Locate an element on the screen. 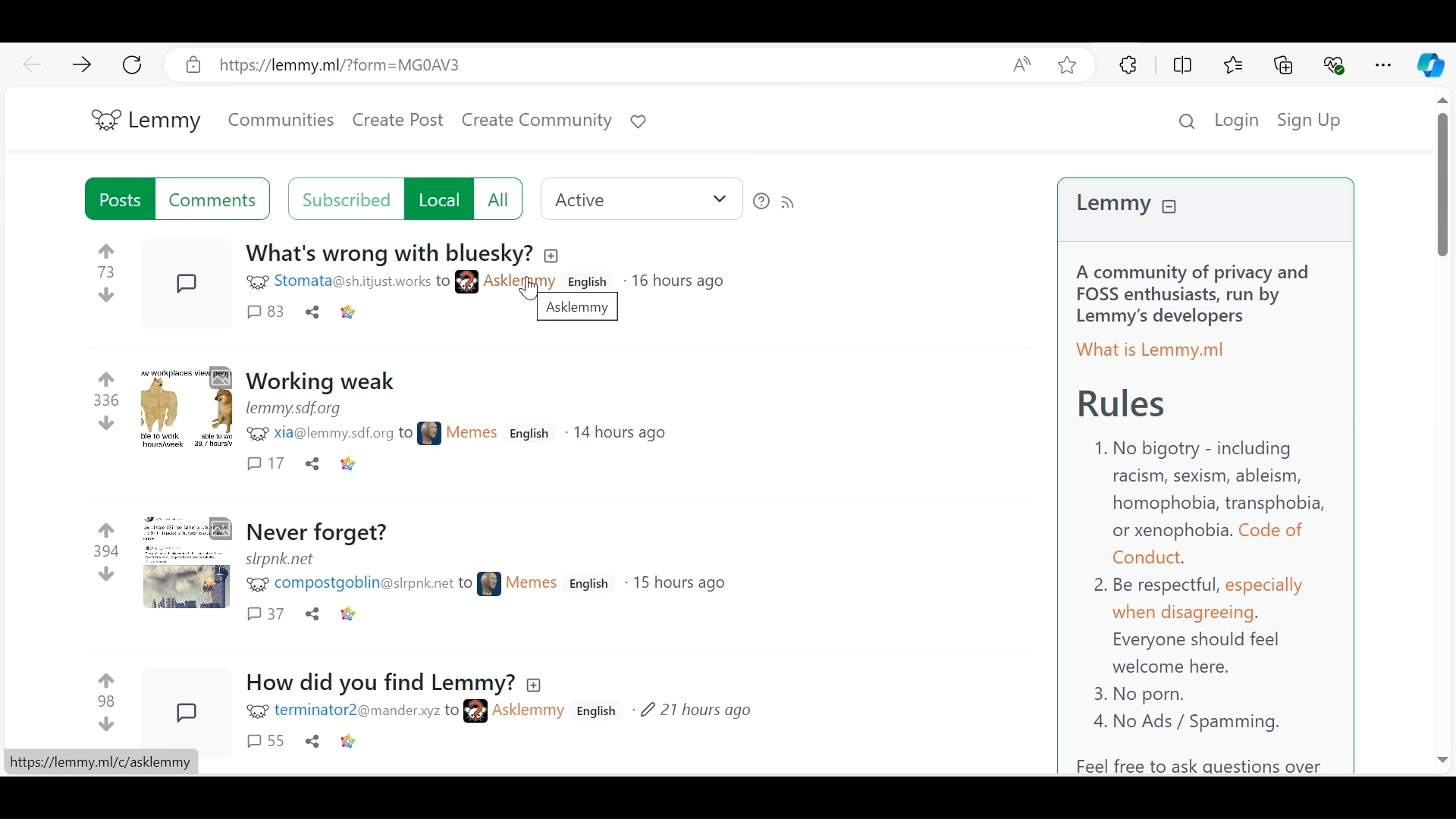 This screenshot has height=819, width=1456. Share is located at coordinates (315, 615).